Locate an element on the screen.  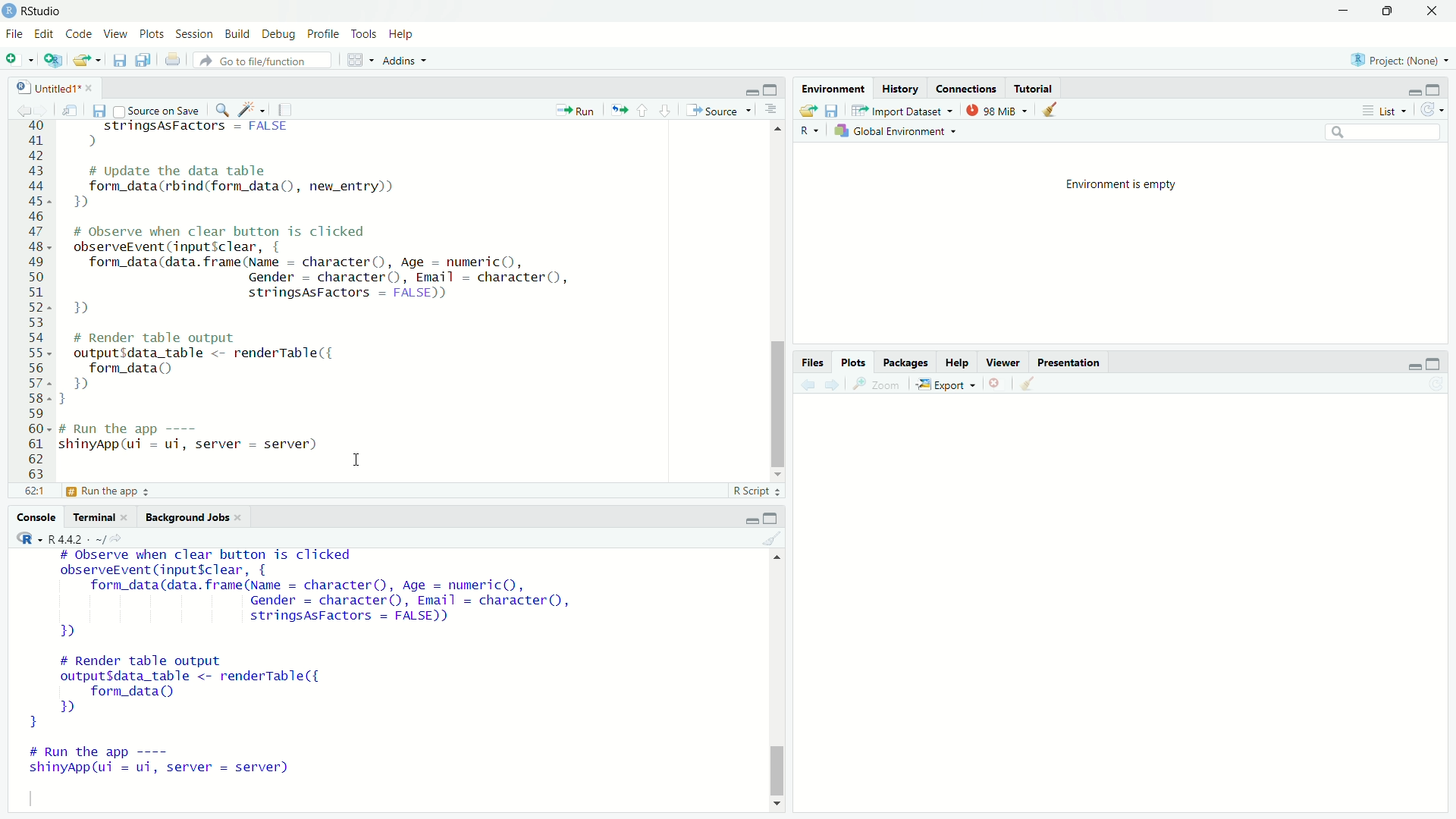
RStudio is located at coordinates (45, 9).